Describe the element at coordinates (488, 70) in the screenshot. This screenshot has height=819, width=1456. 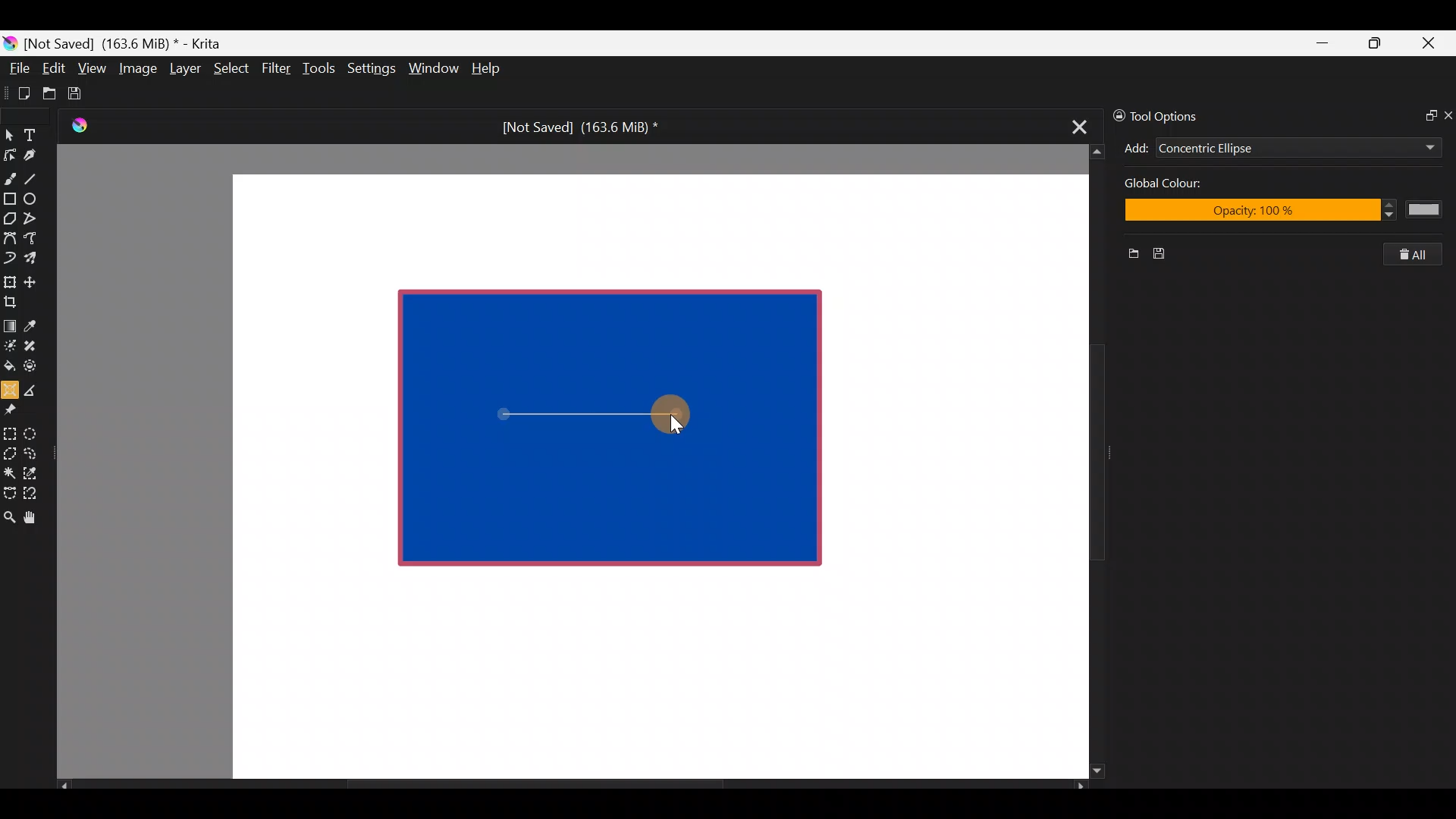
I see `Help` at that location.